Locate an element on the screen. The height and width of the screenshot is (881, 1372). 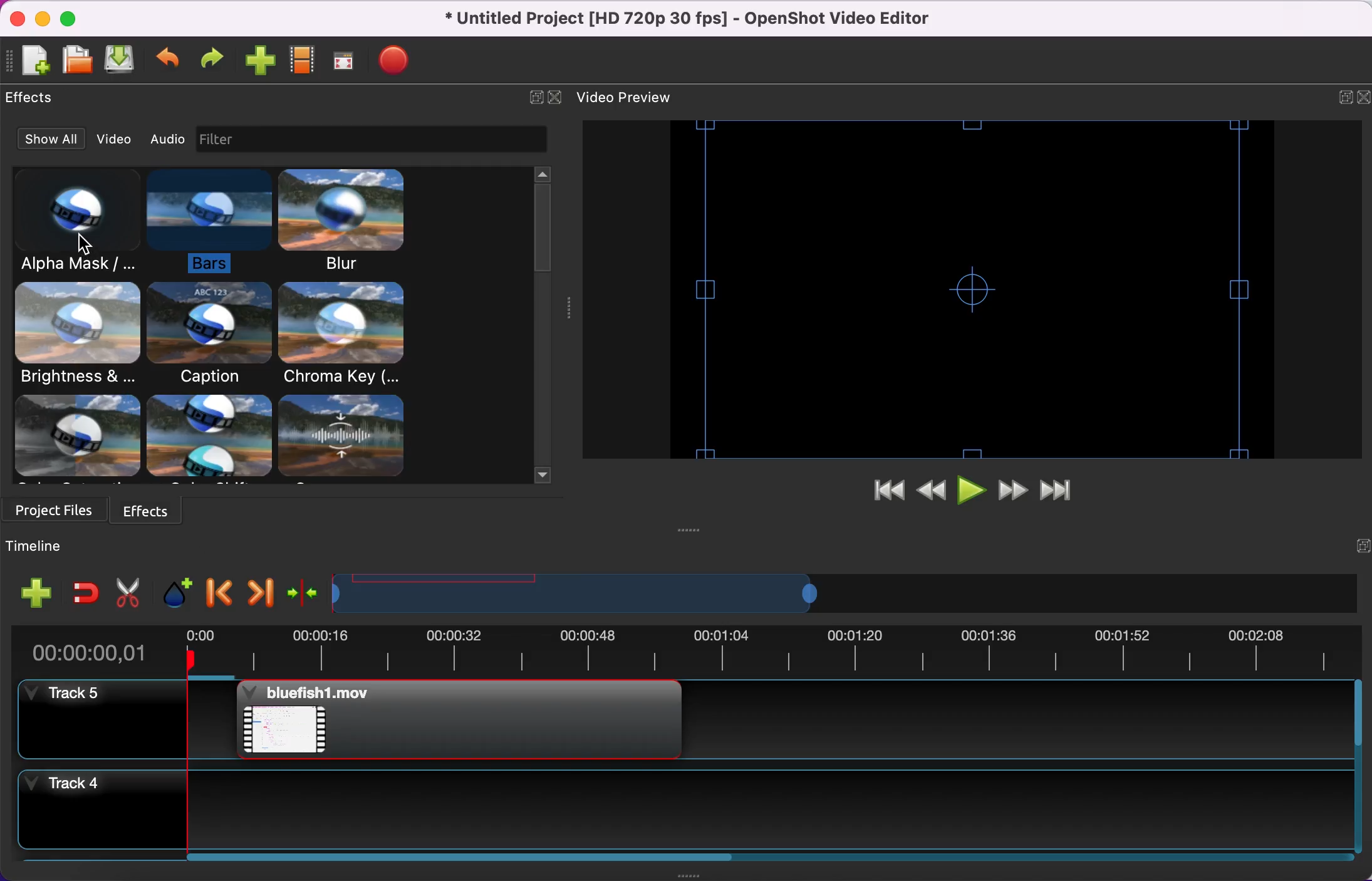
maximize is located at coordinates (71, 18).